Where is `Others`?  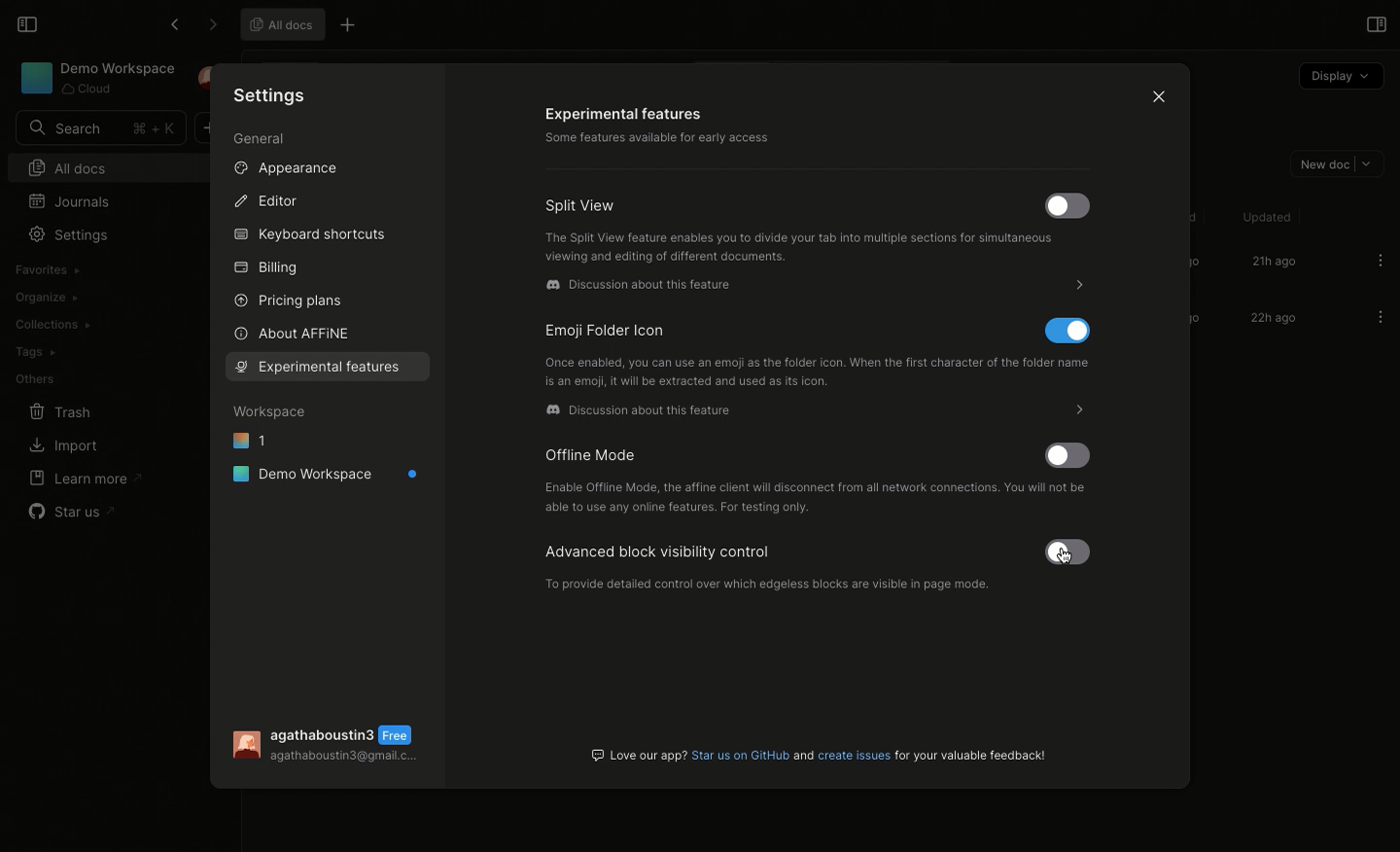
Others is located at coordinates (35, 379).